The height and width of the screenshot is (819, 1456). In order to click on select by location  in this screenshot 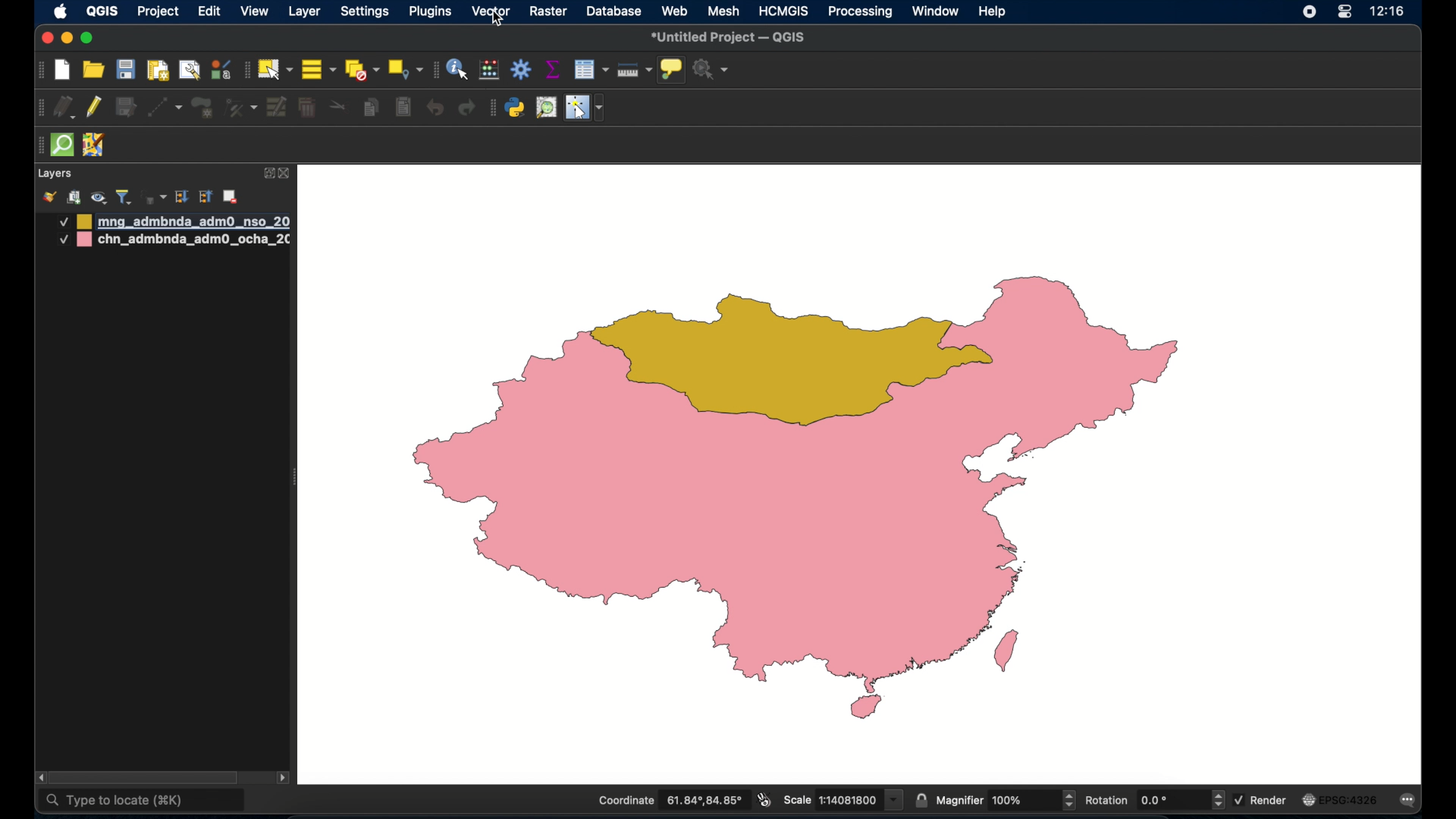, I will do `click(405, 68)`.